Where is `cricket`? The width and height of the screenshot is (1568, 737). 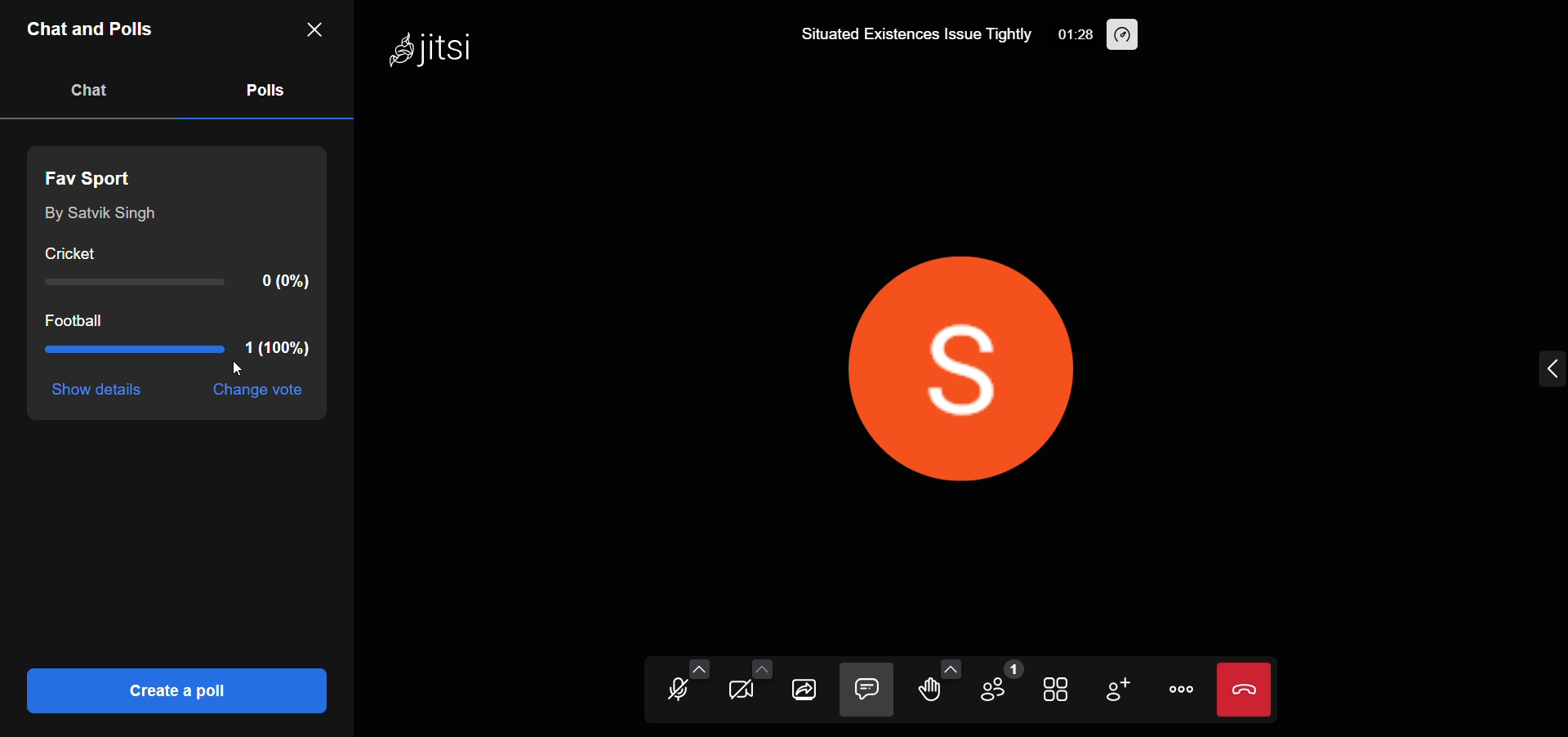
cricket is located at coordinates (89, 254).